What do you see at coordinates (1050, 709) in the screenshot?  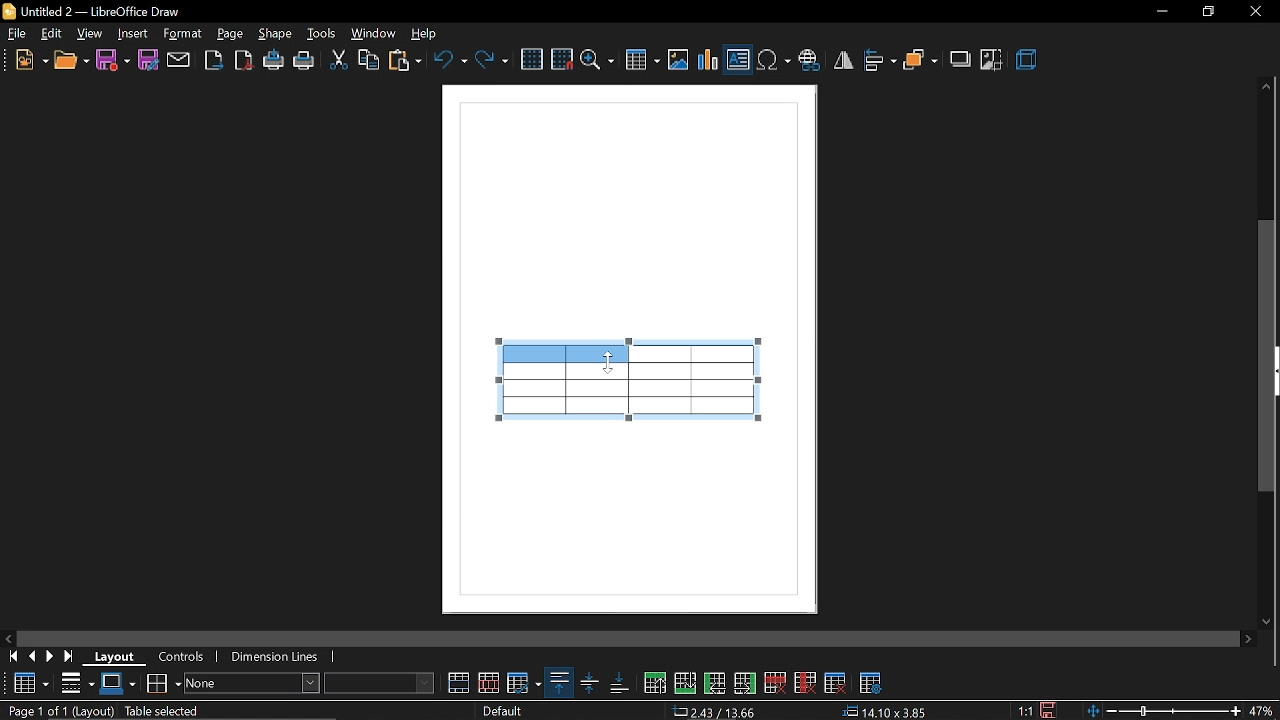 I see `save` at bounding box center [1050, 709].